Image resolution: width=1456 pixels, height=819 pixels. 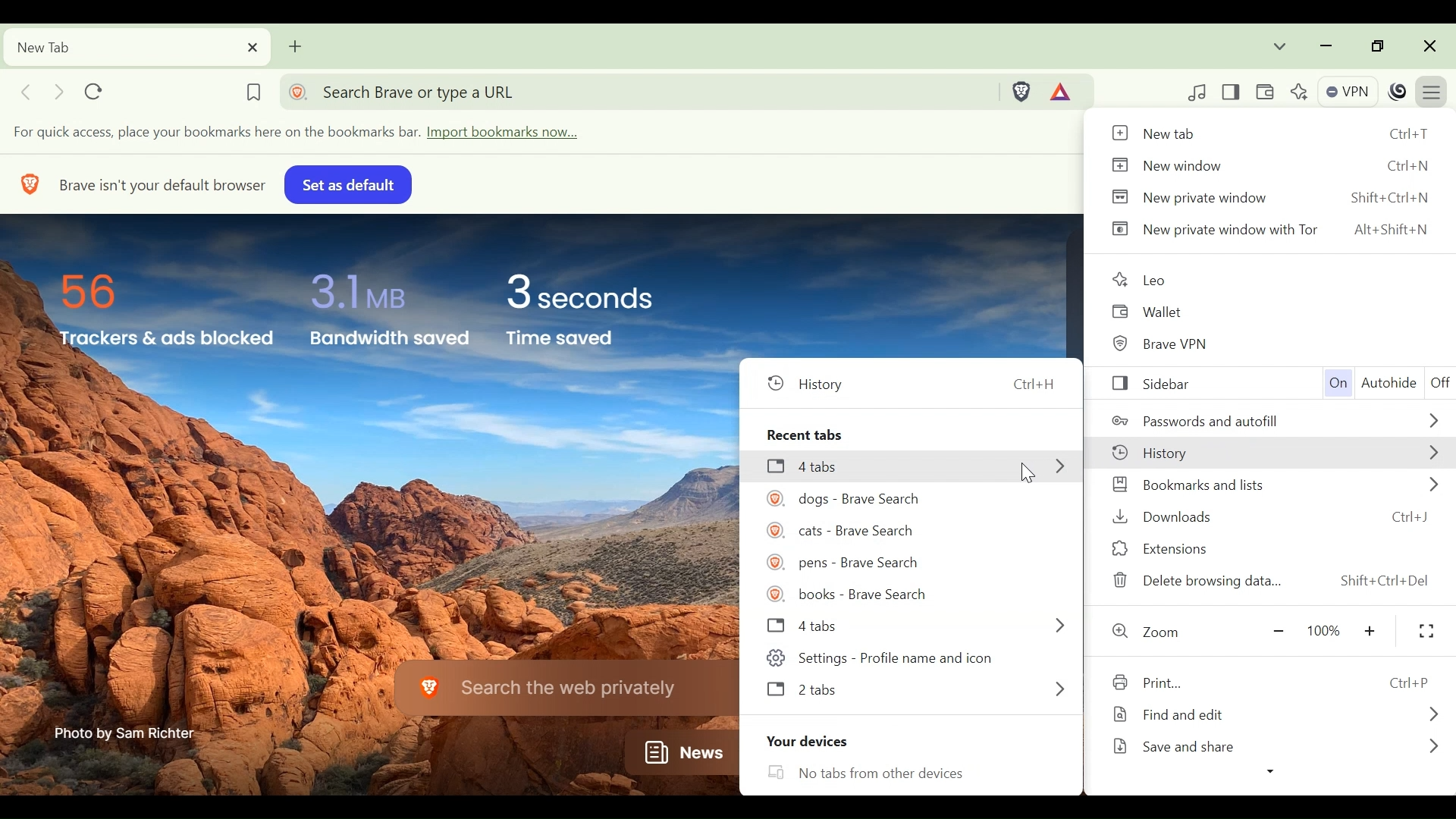 What do you see at coordinates (1426, 632) in the screenshot?
I see `Fit to screen` at bounding box center [1426, 632].